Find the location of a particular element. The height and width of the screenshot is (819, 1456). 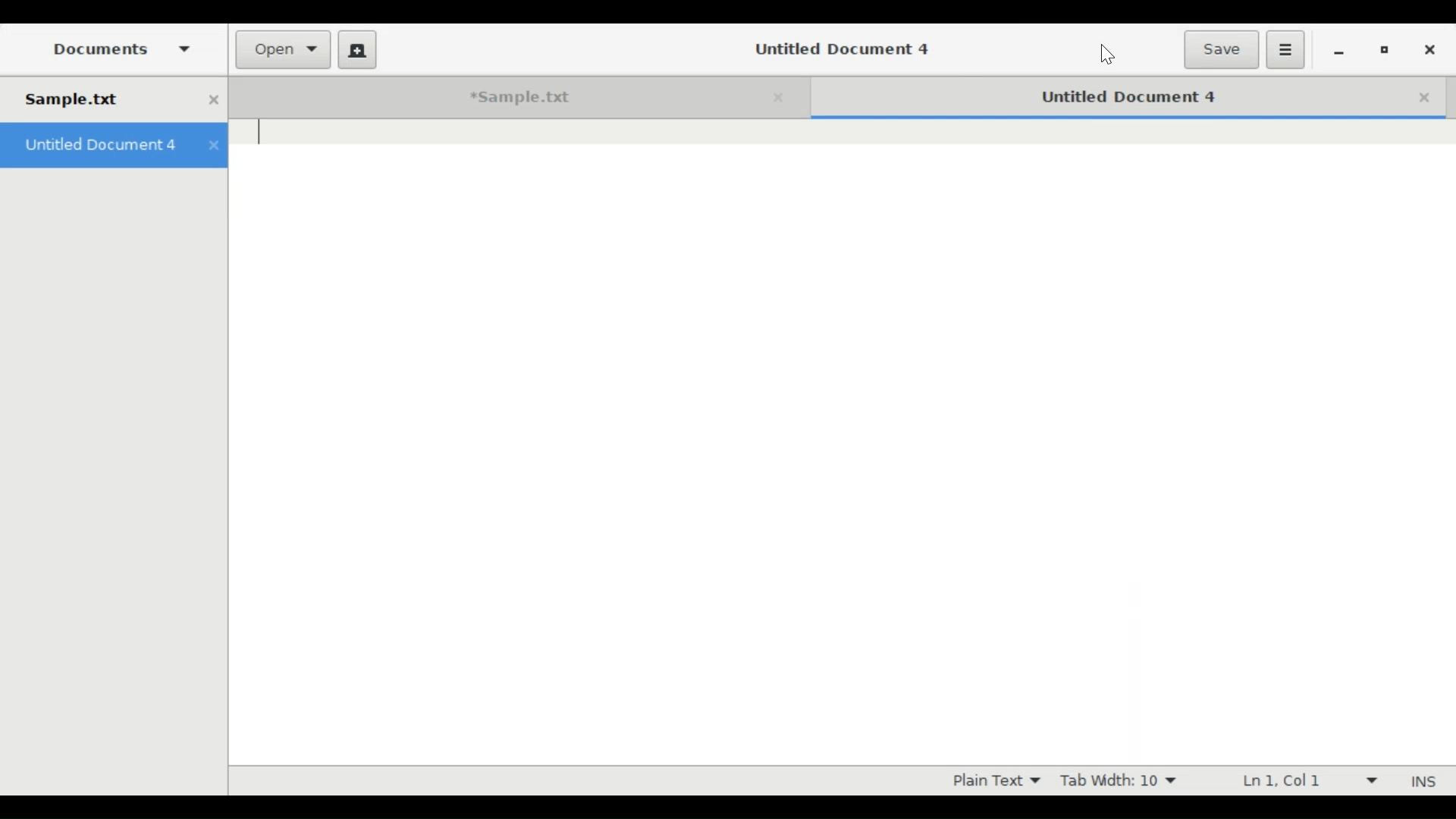

Cursor is located at coordinates (1108, 57).